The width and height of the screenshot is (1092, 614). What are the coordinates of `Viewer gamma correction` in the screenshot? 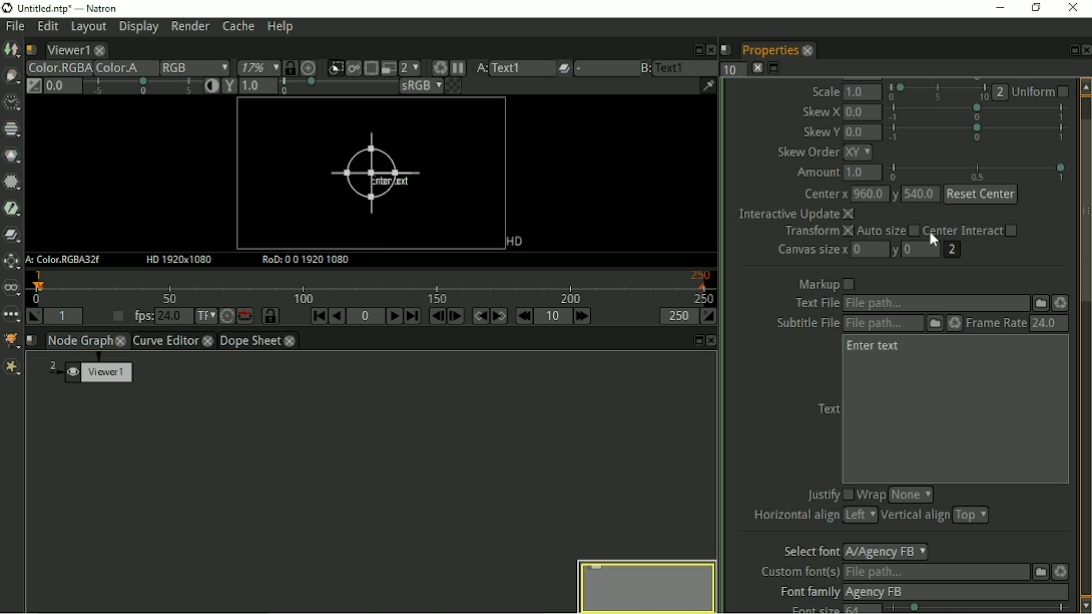 It's located at (257, 87).